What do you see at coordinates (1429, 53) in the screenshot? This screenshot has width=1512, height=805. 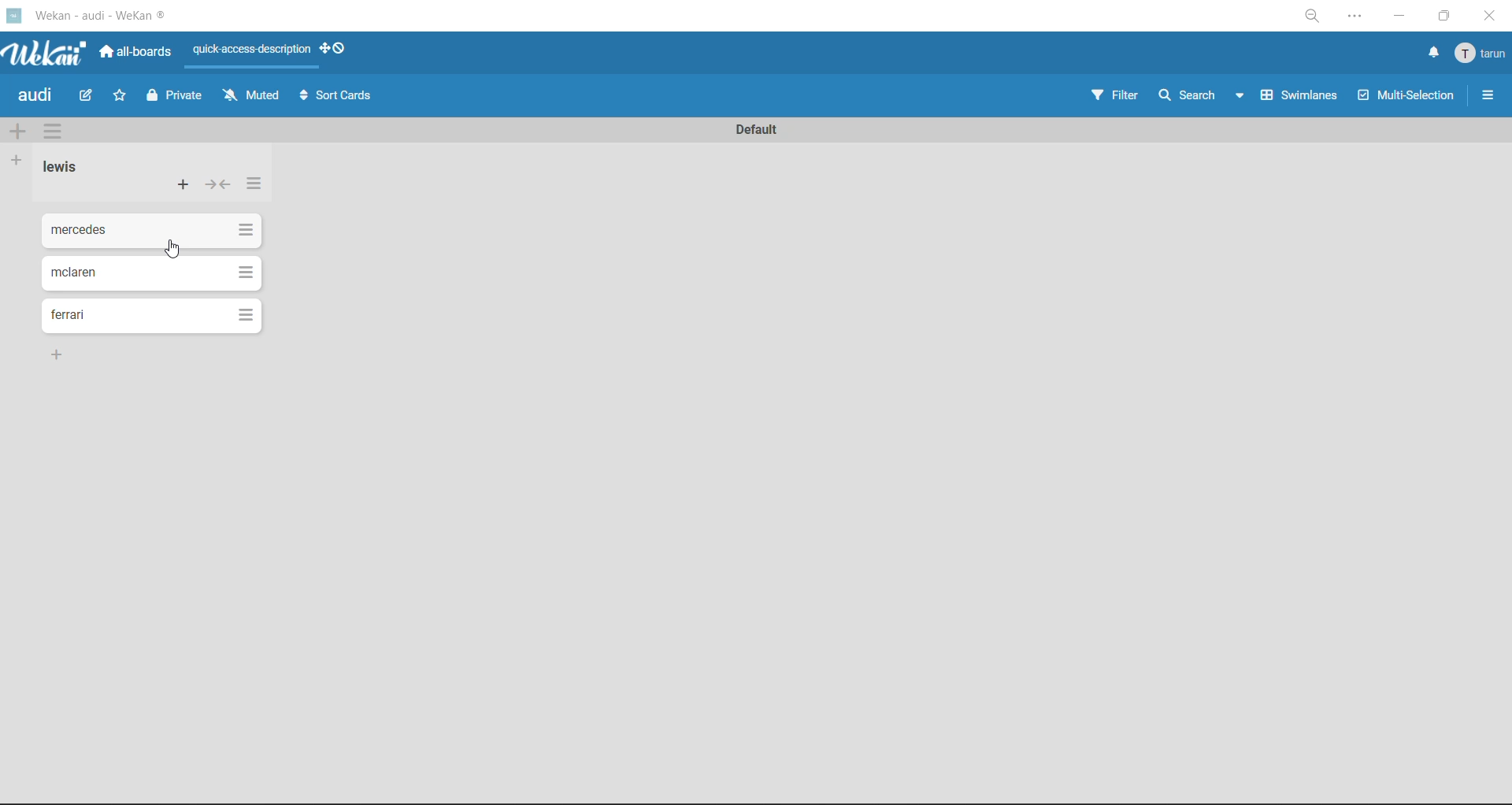 I see `notifications` at bounding box center [1429, 53].